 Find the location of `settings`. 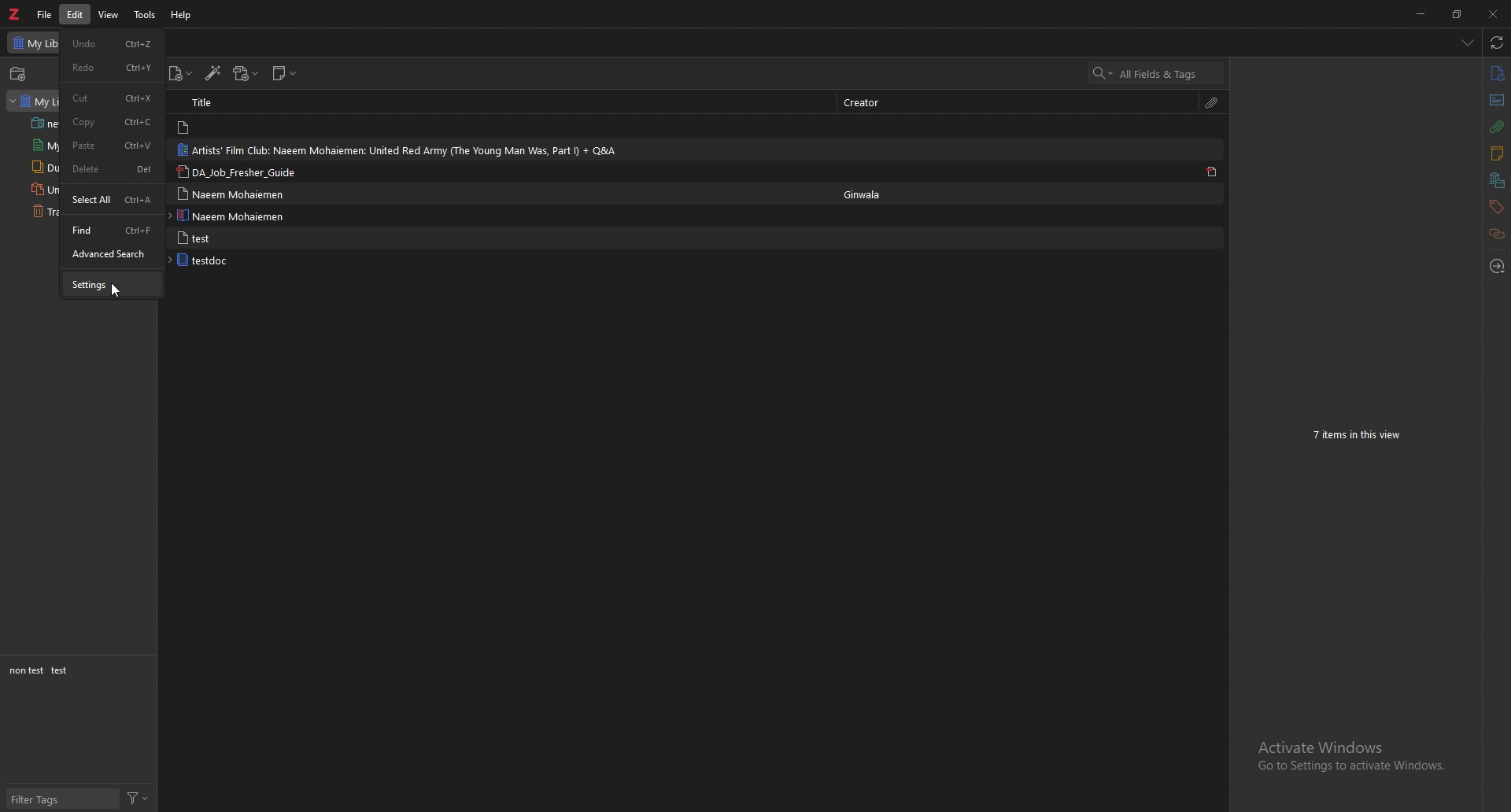

settings is located at coordinates (113, 284).